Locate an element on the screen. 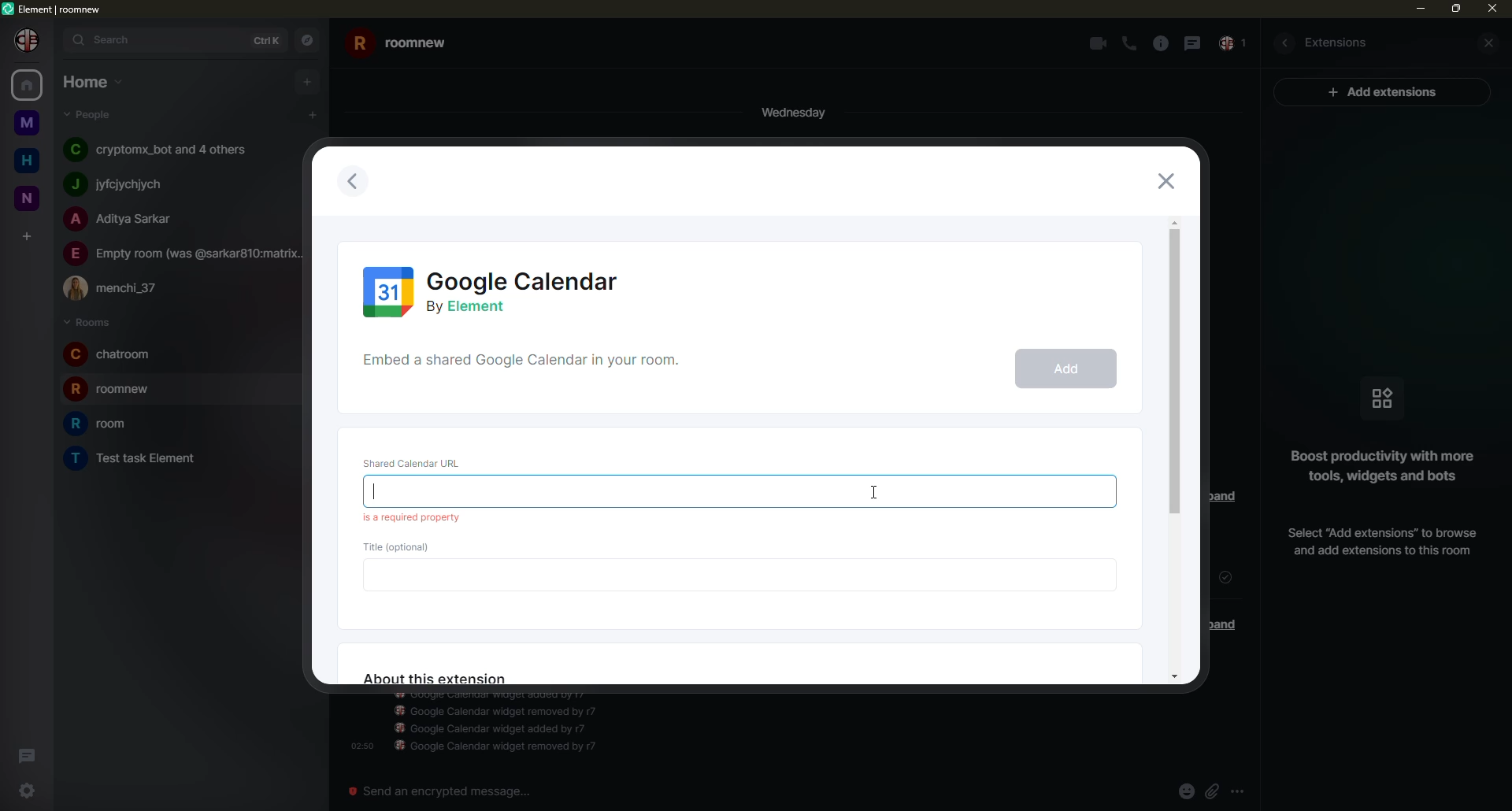 The width and height of the screenshot is (1512, 811). room is located at coordinates (400, 45).